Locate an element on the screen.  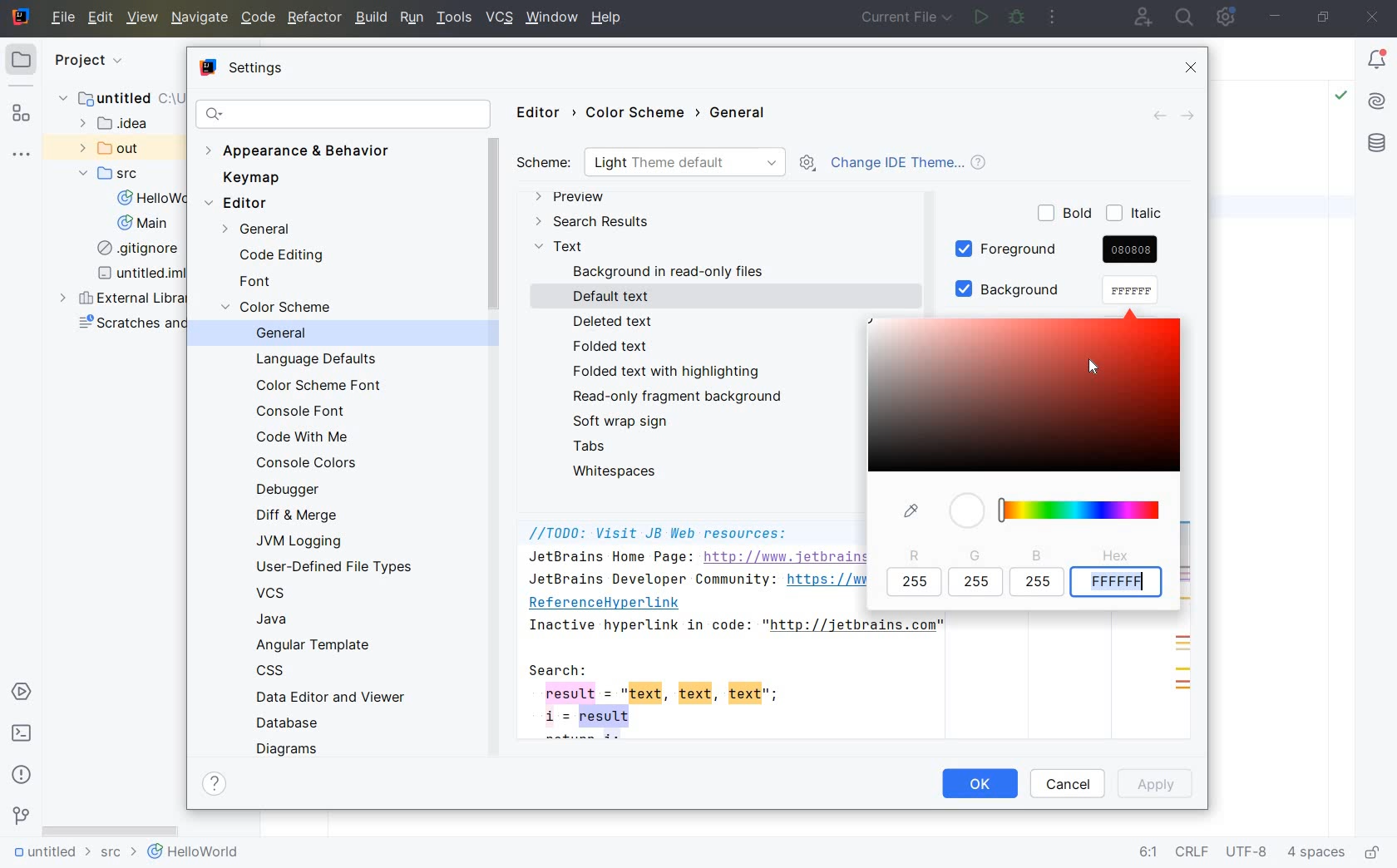
run is located at coordinates (980, 18).